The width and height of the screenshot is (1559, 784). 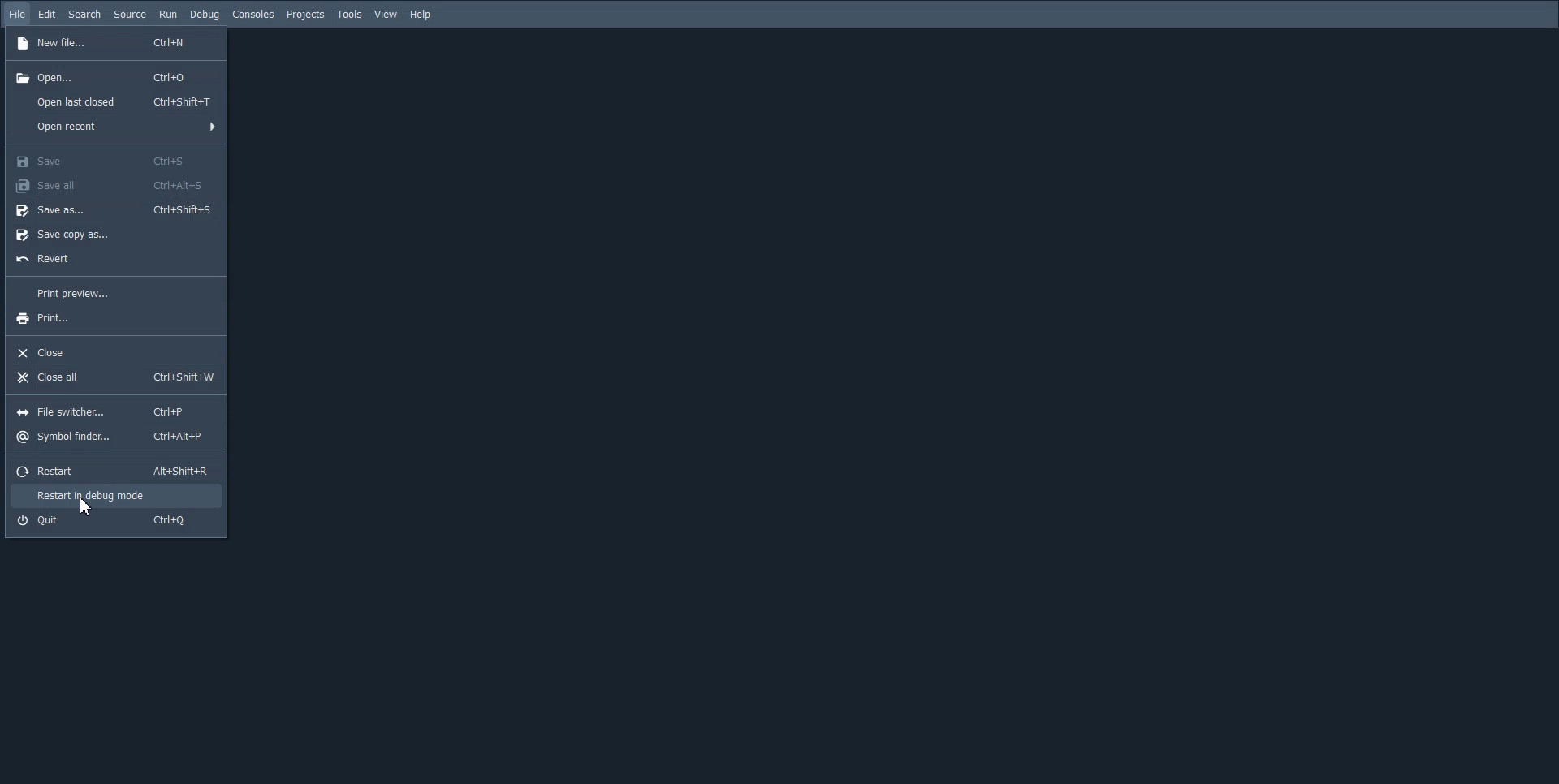 What do you see at coordinates (114, 101) in the screenshot?
I see `Open last closed` at bounding box center [114, 101].